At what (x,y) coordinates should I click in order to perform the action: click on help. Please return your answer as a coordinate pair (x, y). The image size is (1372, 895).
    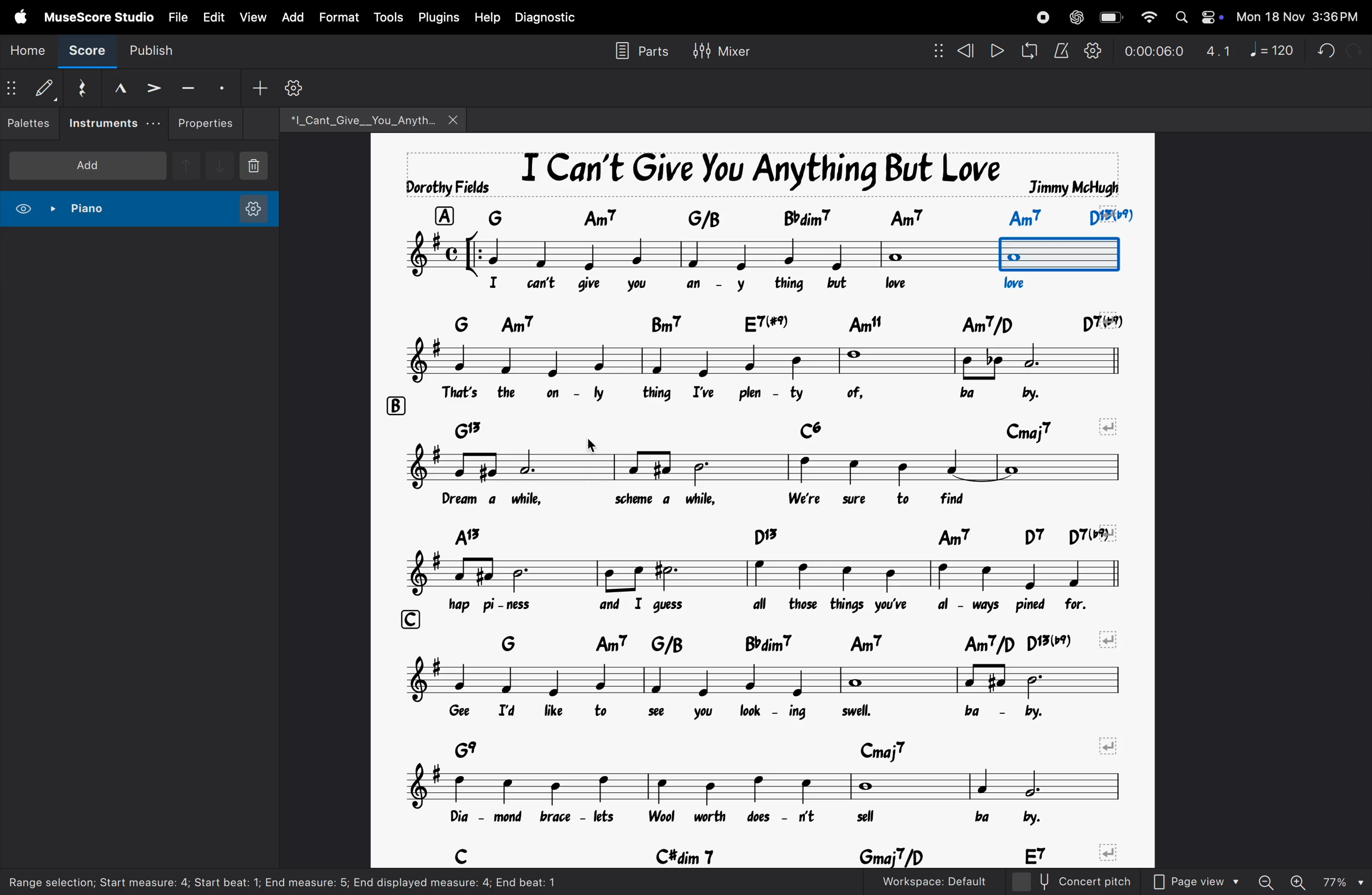
    Looking at the image, I should click on (485, 16).